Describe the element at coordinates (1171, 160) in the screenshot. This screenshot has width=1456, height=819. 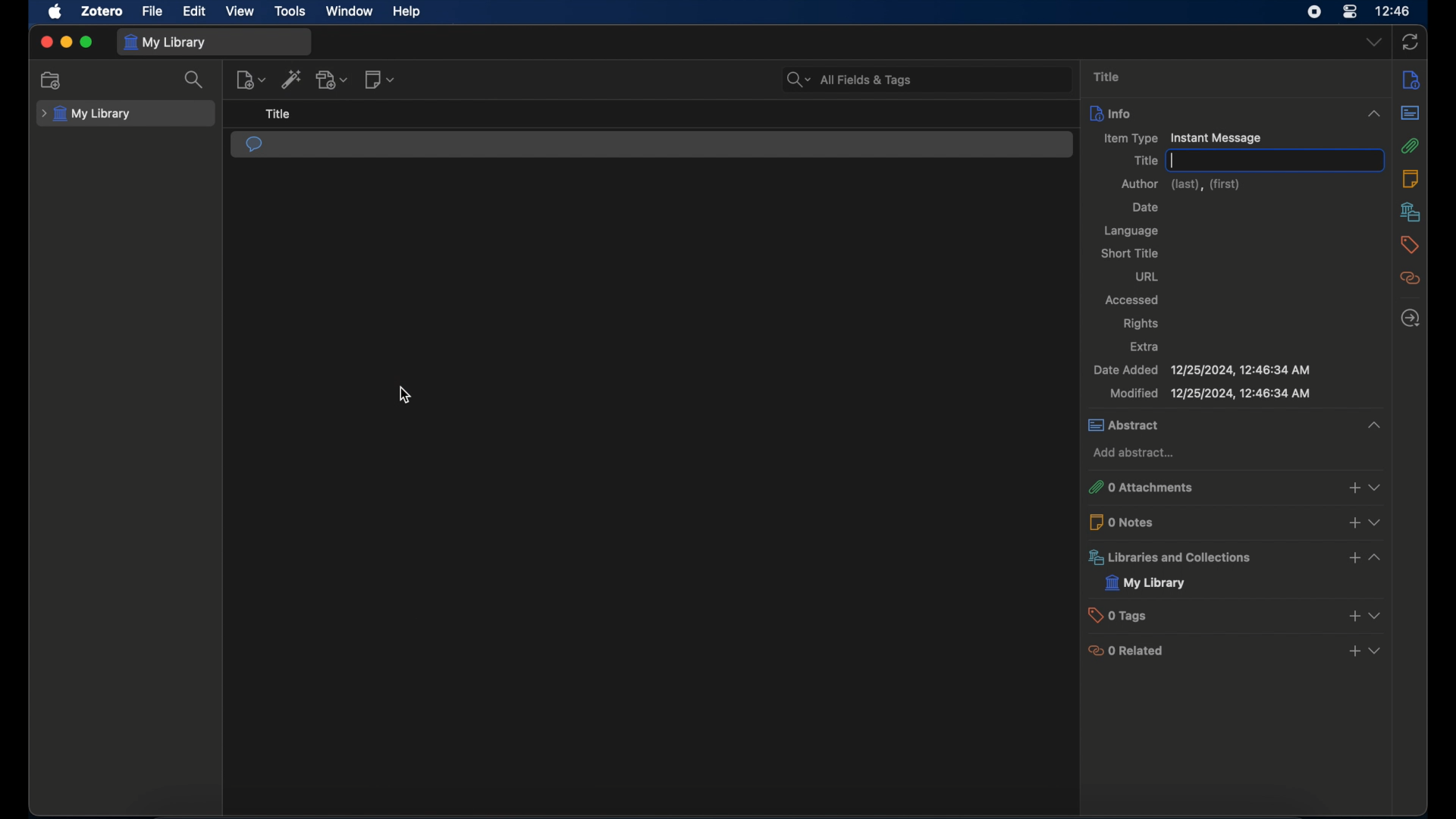
I see `text cursor` at that location.